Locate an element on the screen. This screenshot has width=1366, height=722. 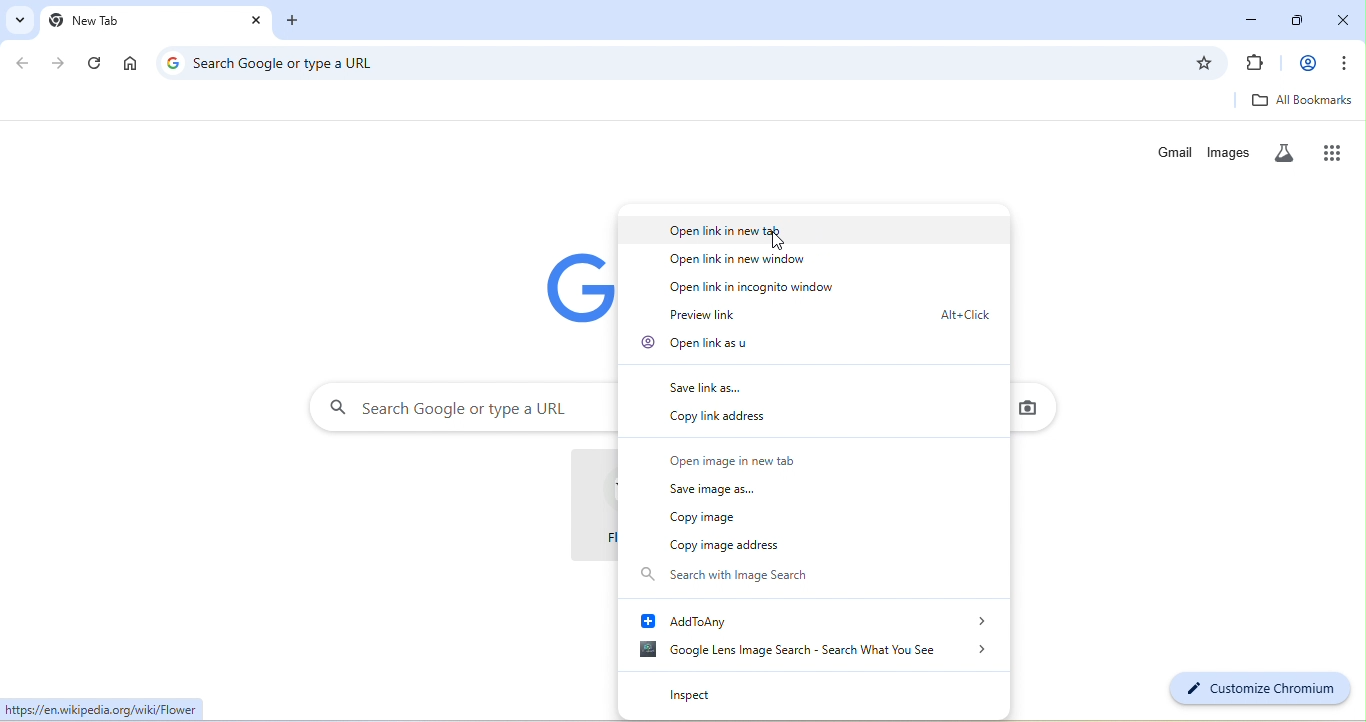
minimize is located at coordinates (1252, 17).